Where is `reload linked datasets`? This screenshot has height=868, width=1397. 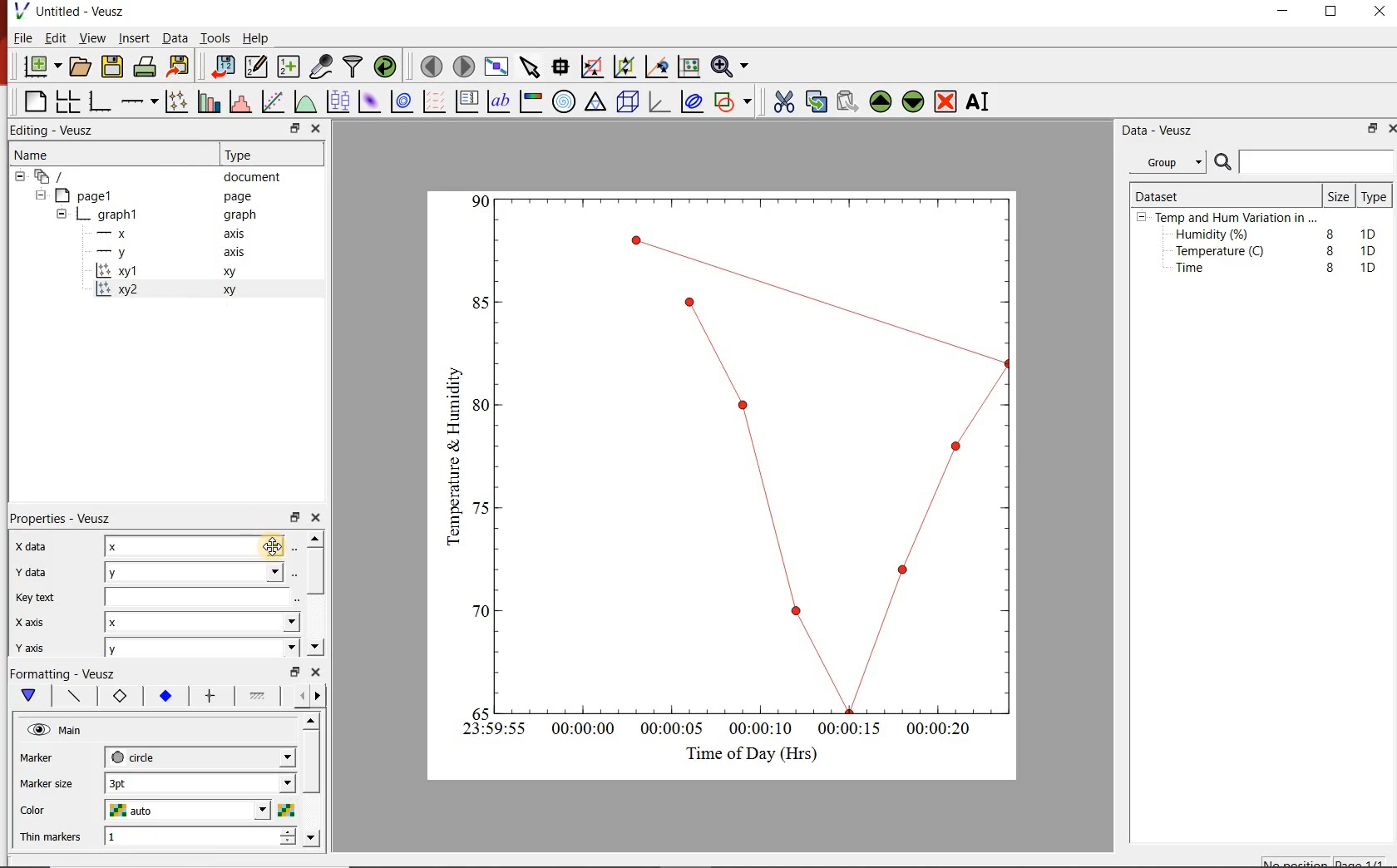
reload linked datasets is located at coordinates (385, 67).